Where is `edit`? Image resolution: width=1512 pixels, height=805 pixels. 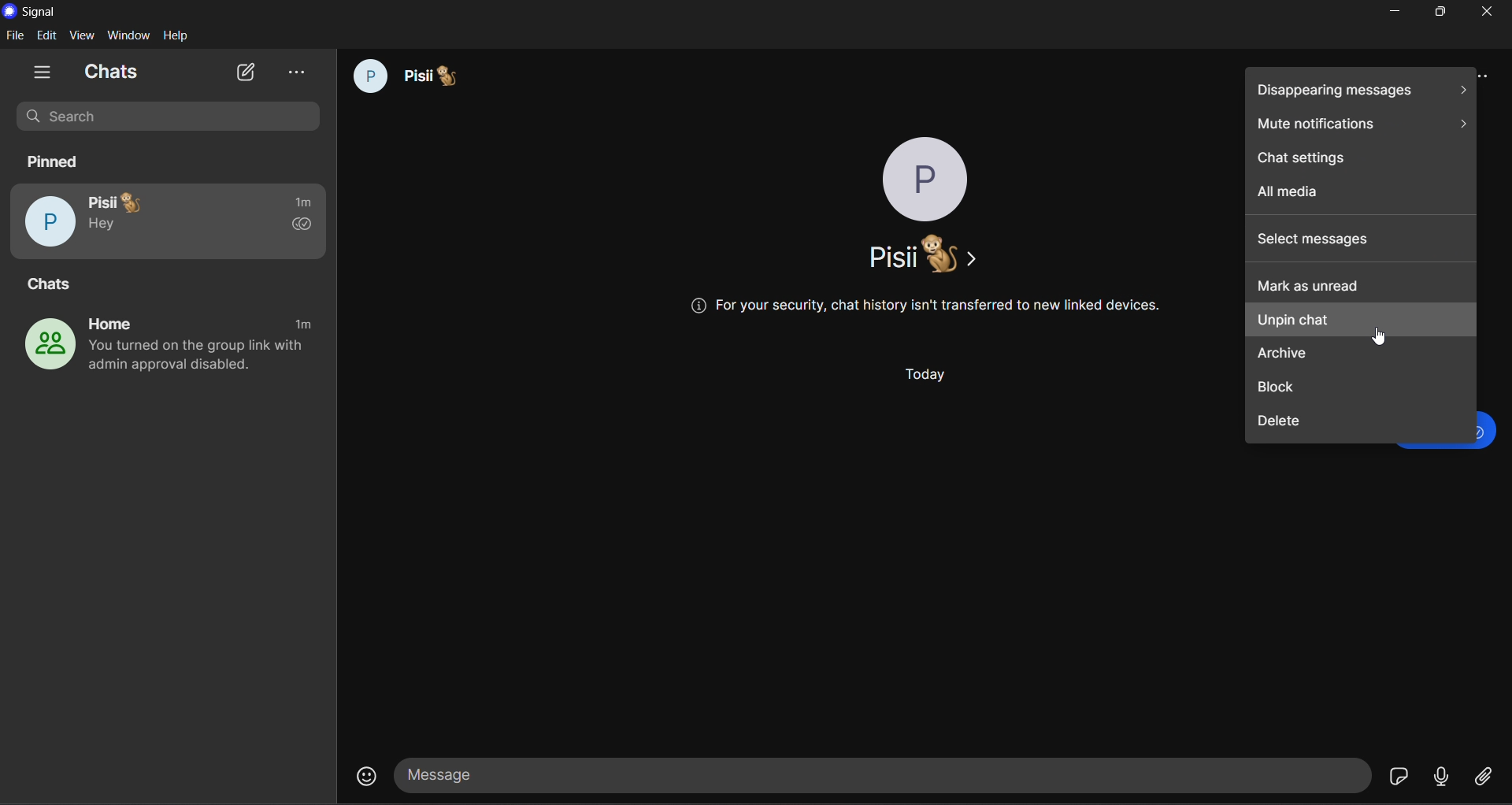 edit is located at coordinates (48, 35).